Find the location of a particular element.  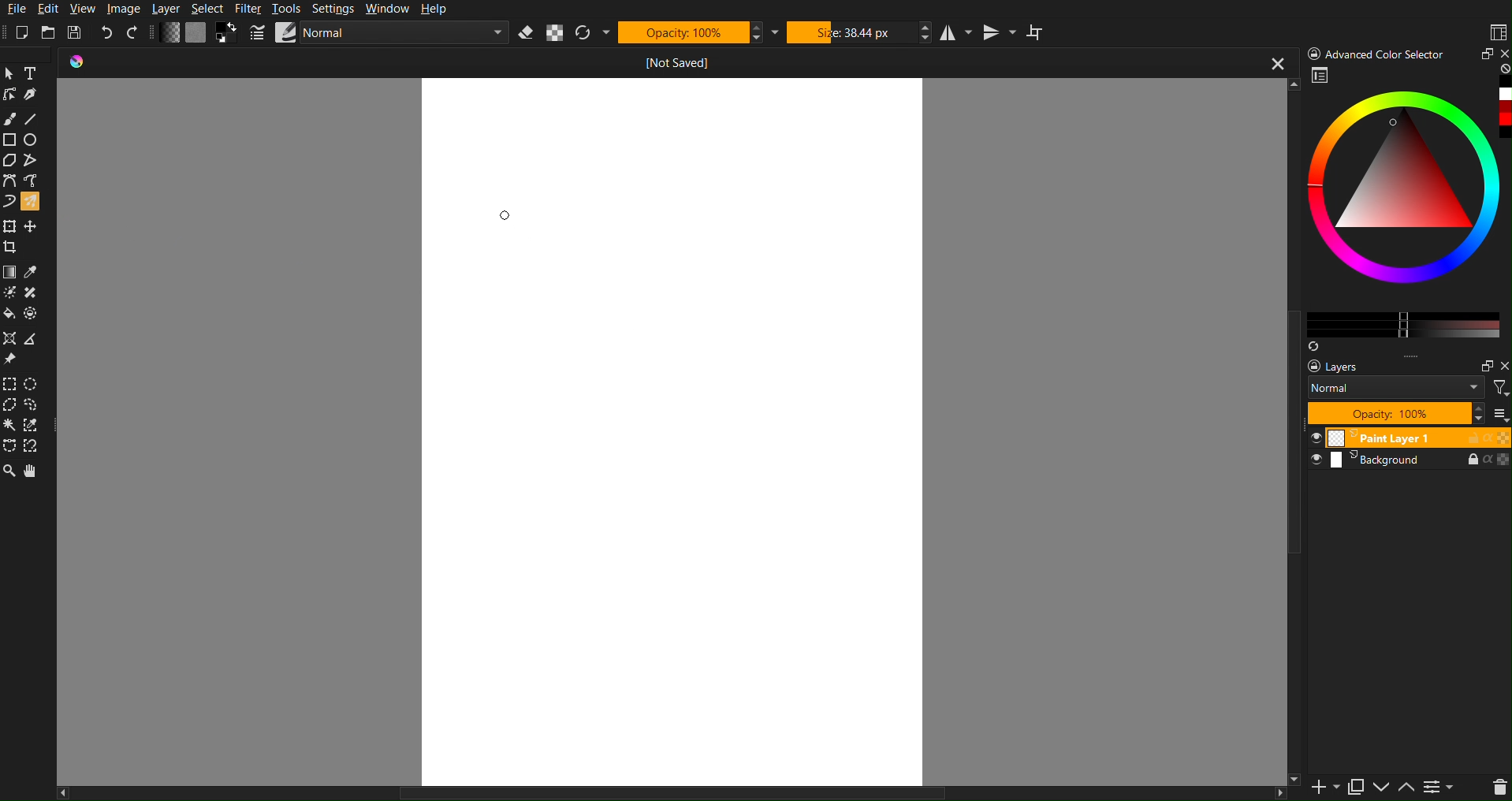

close is located at coordinates (1503, 367).